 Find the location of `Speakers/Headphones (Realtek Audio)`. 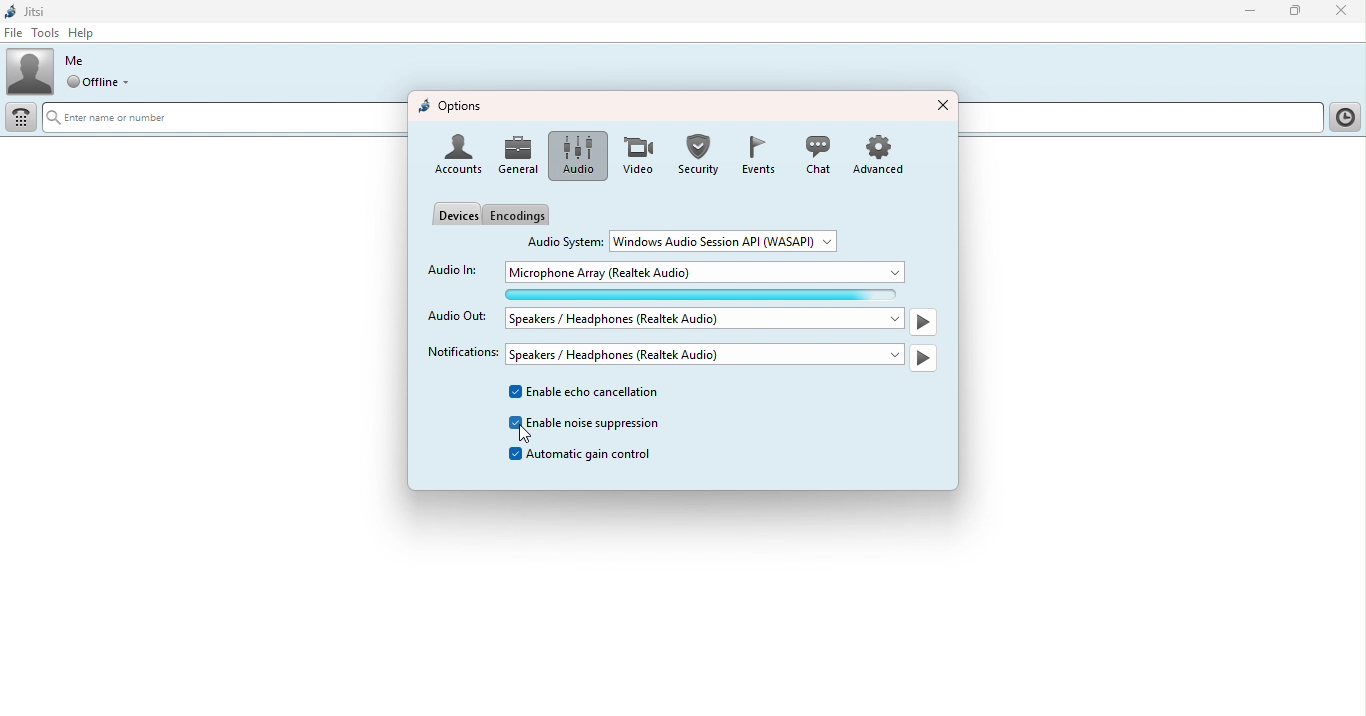

Speakers/Headphones (Realtek Audio) is located at coordinates (706, 318).